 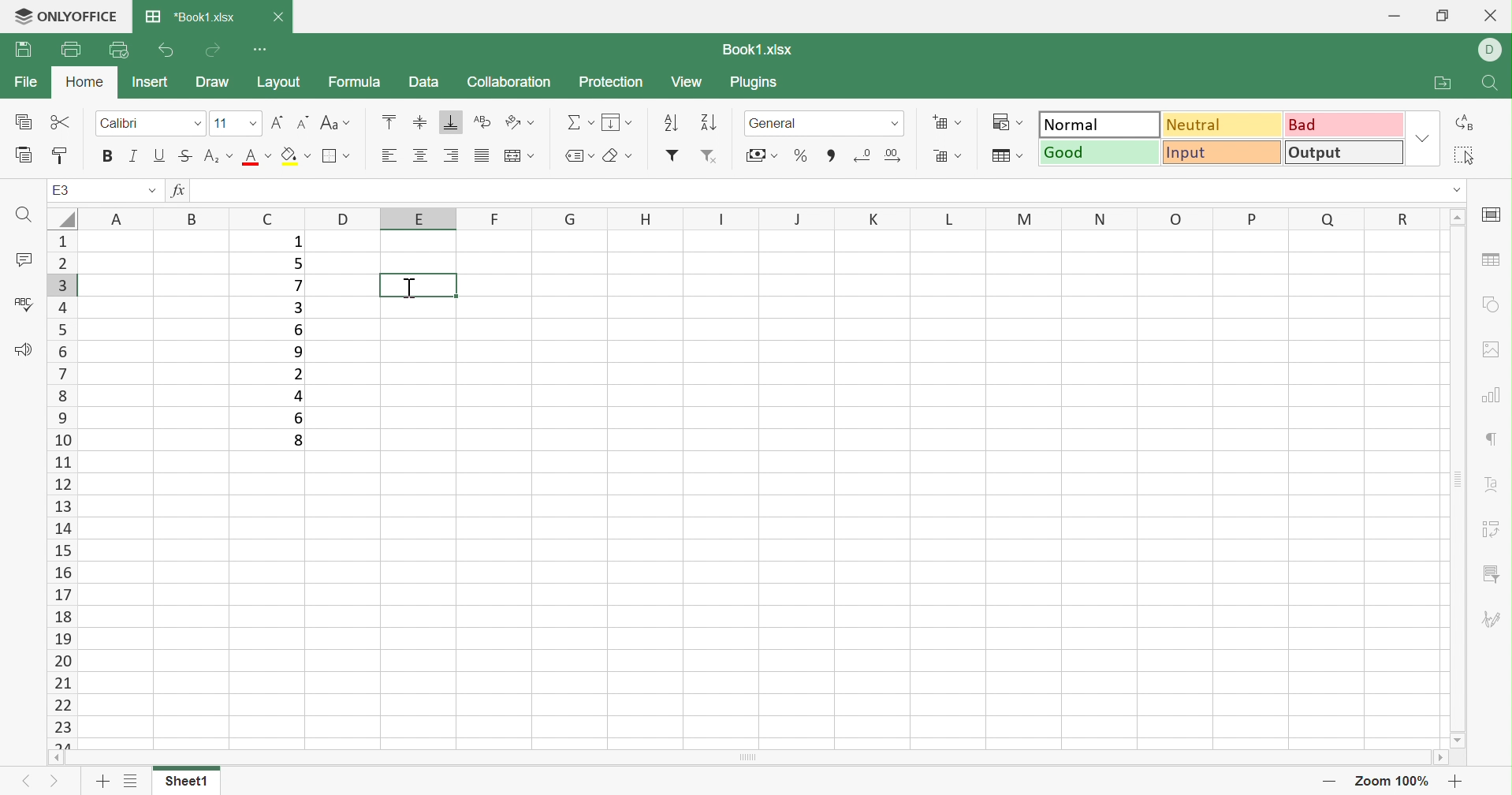 What do you see at coordinates (1496, 438) in the screenshot?
I see `Paragraph settings` at bounding box center [1496, 438].